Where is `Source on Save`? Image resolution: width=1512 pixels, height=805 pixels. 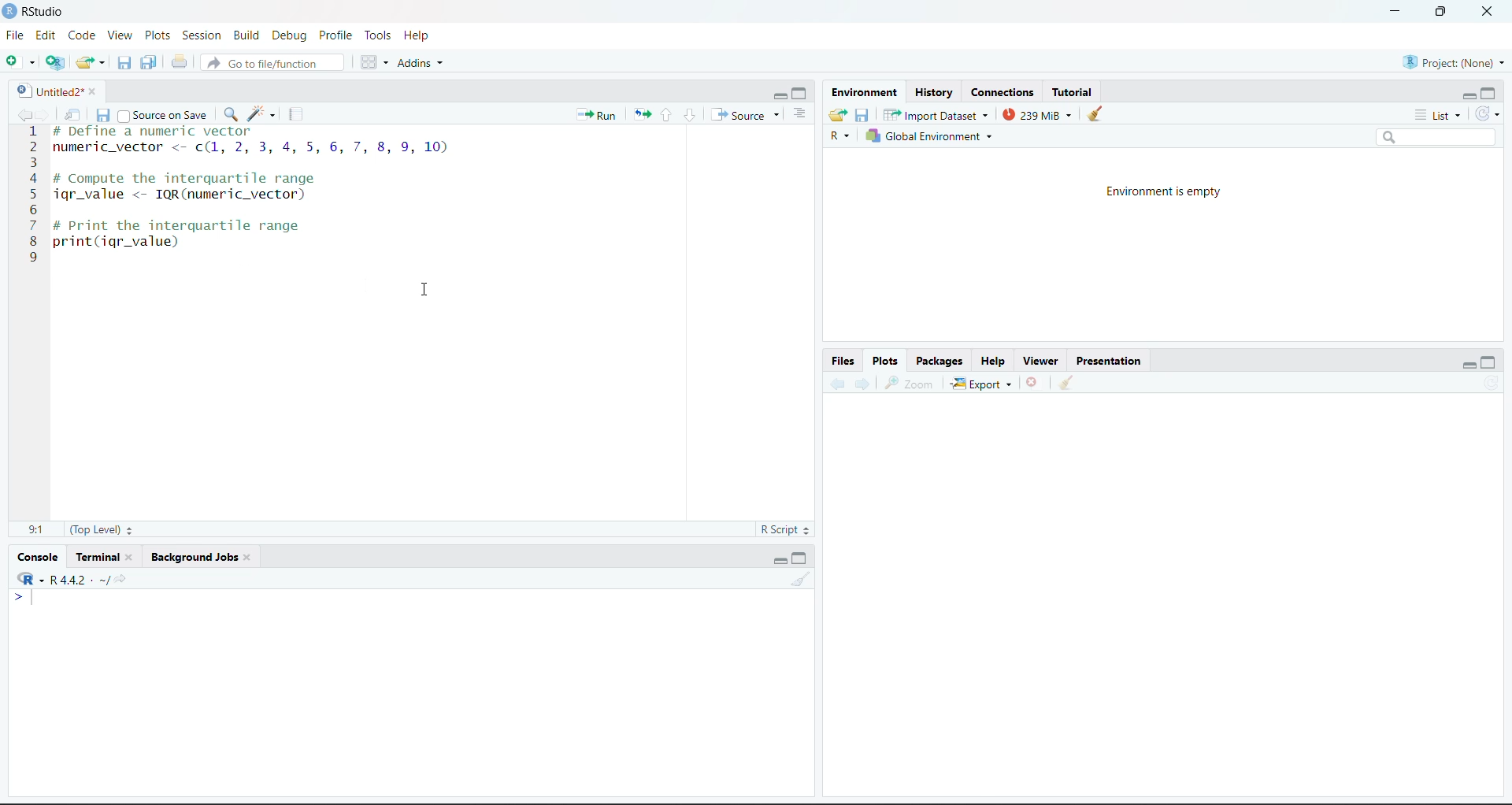 Source on Save is located at coordinates (165, 114).